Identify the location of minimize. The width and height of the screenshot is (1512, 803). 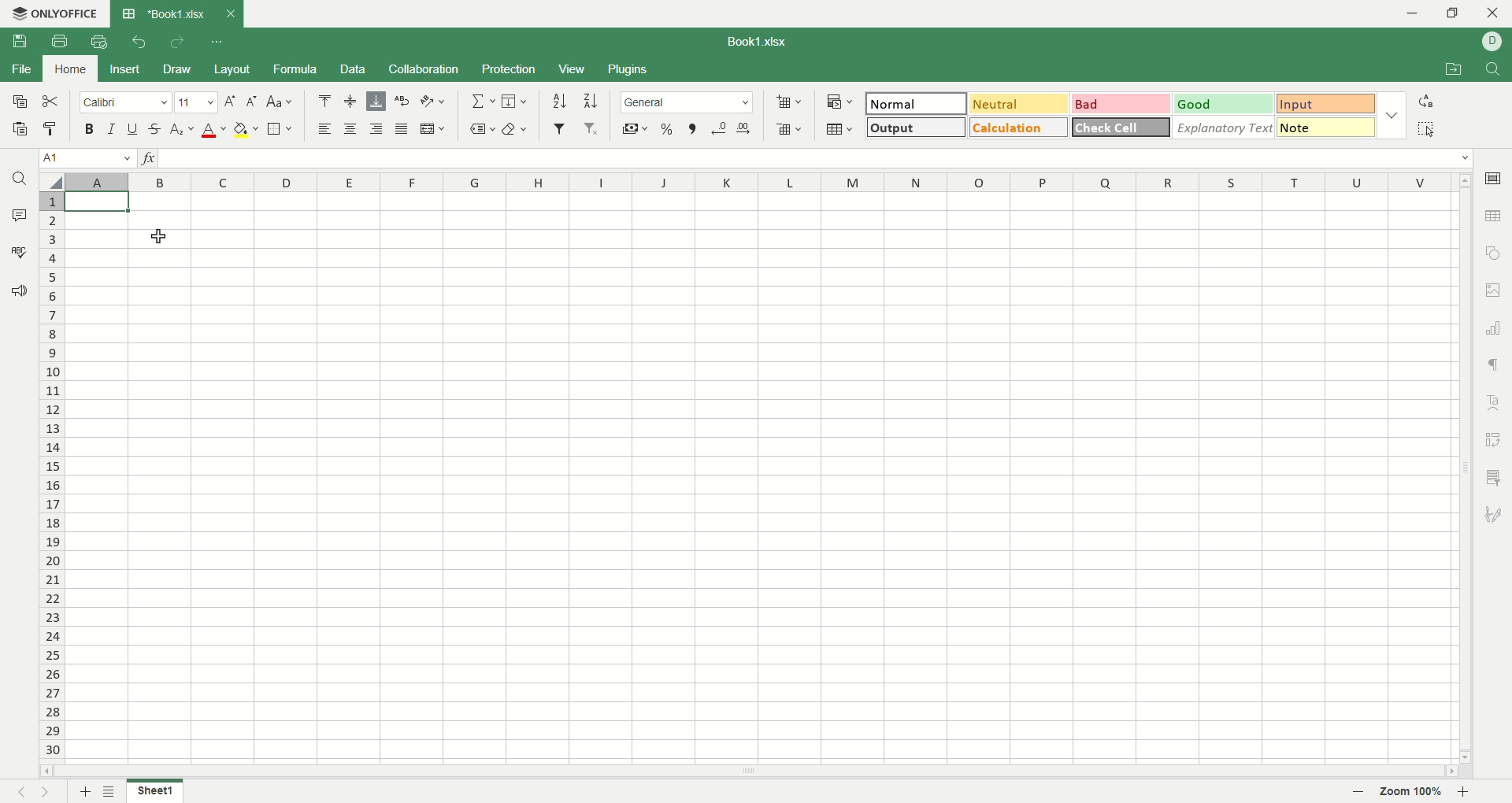
(1416, 13).